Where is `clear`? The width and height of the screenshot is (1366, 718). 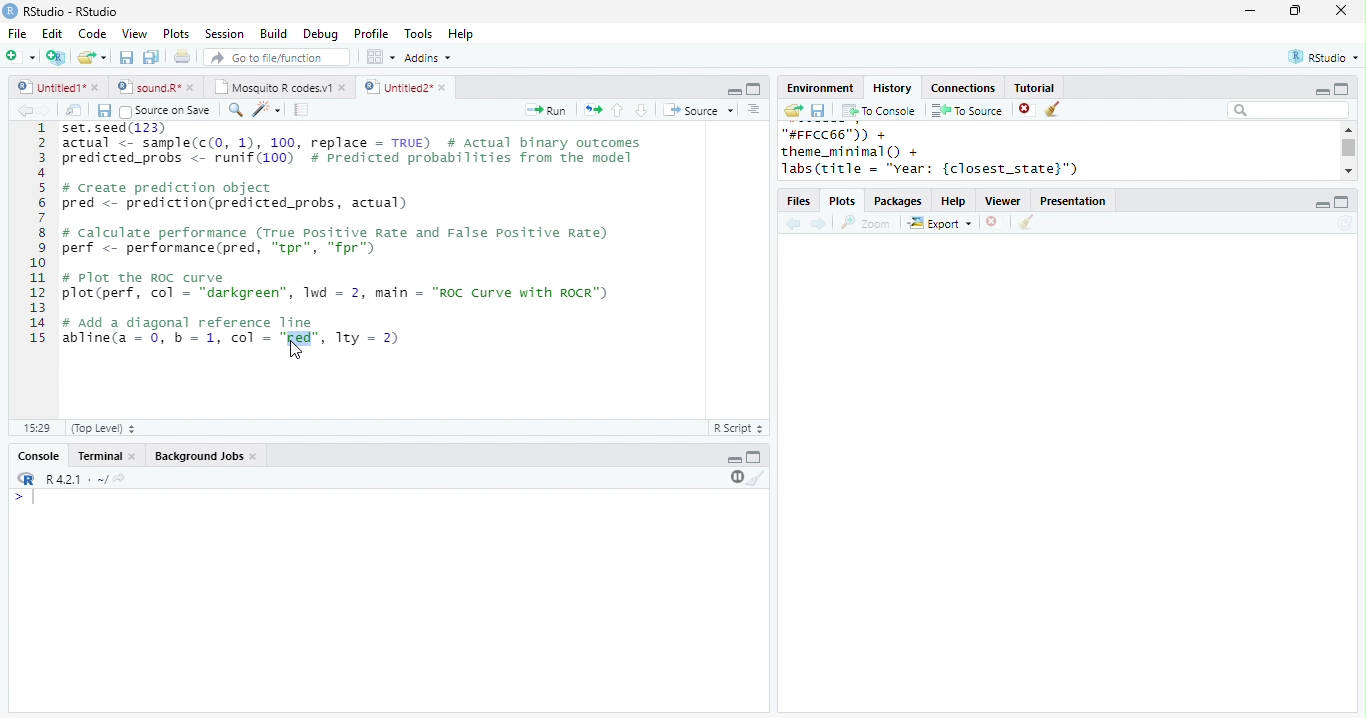
clear is located at coordinates (1026, 223).